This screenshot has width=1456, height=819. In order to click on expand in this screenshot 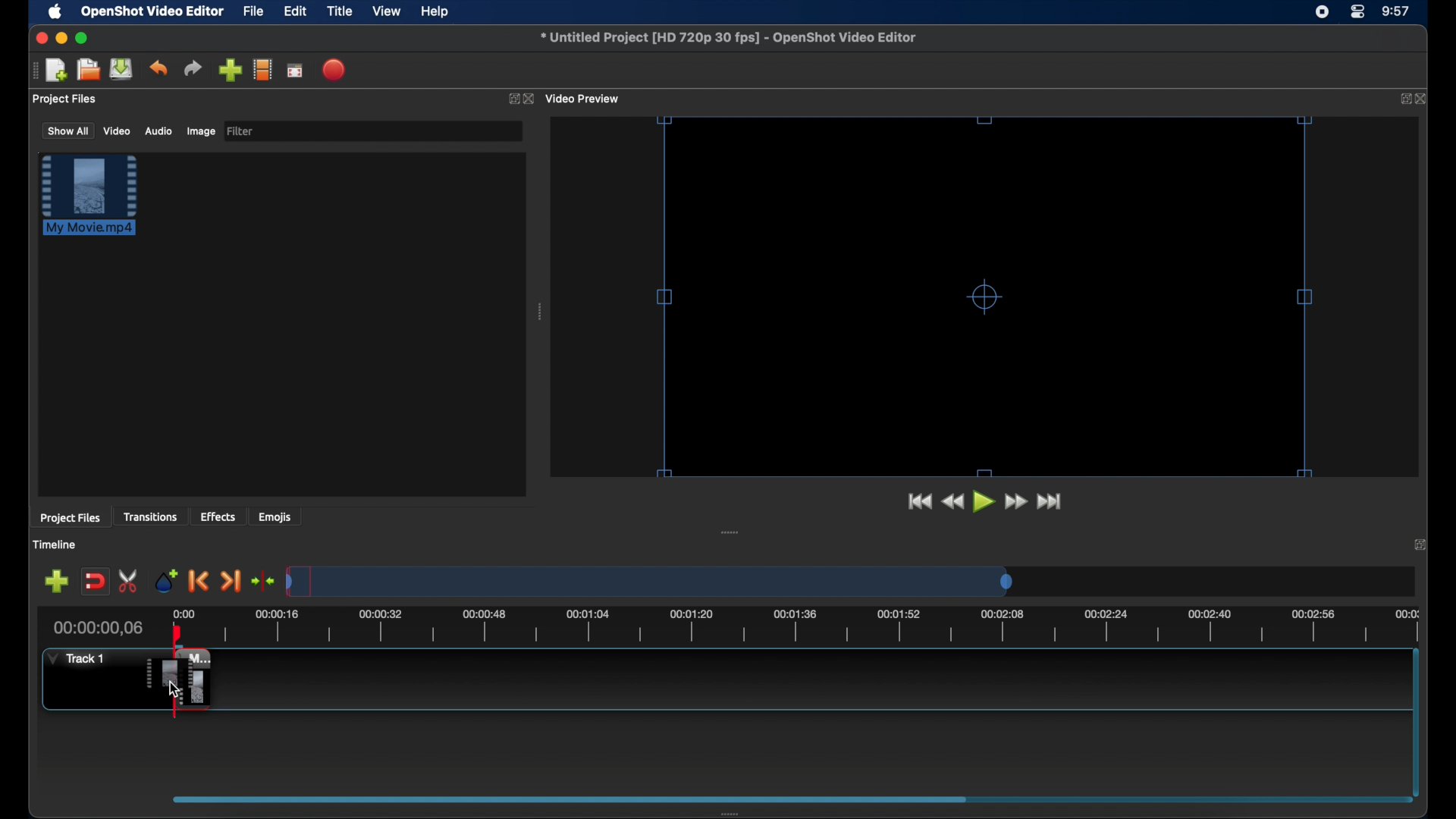, I will do `click(511, 99)`.